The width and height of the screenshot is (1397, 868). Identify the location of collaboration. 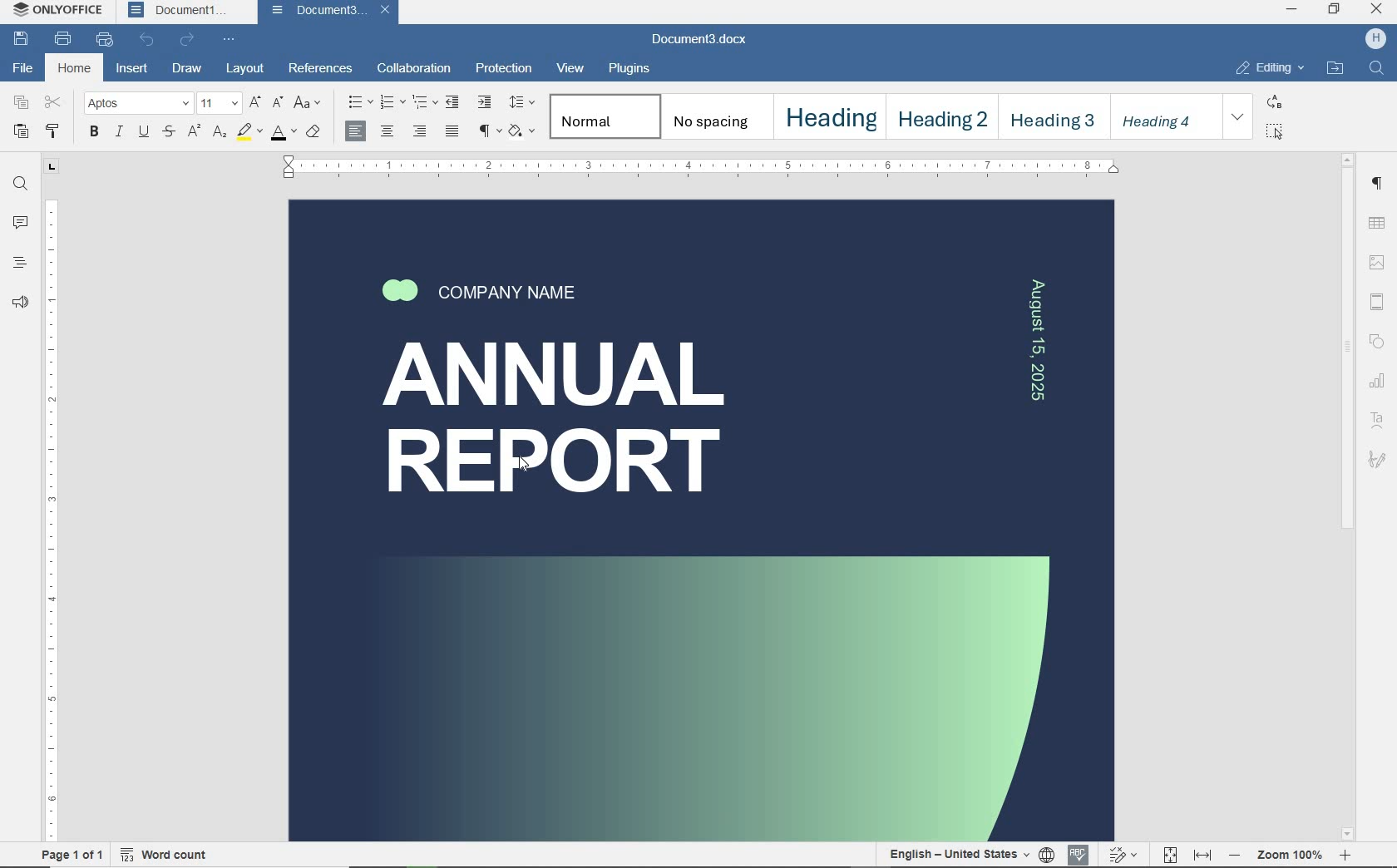
(413, 67).